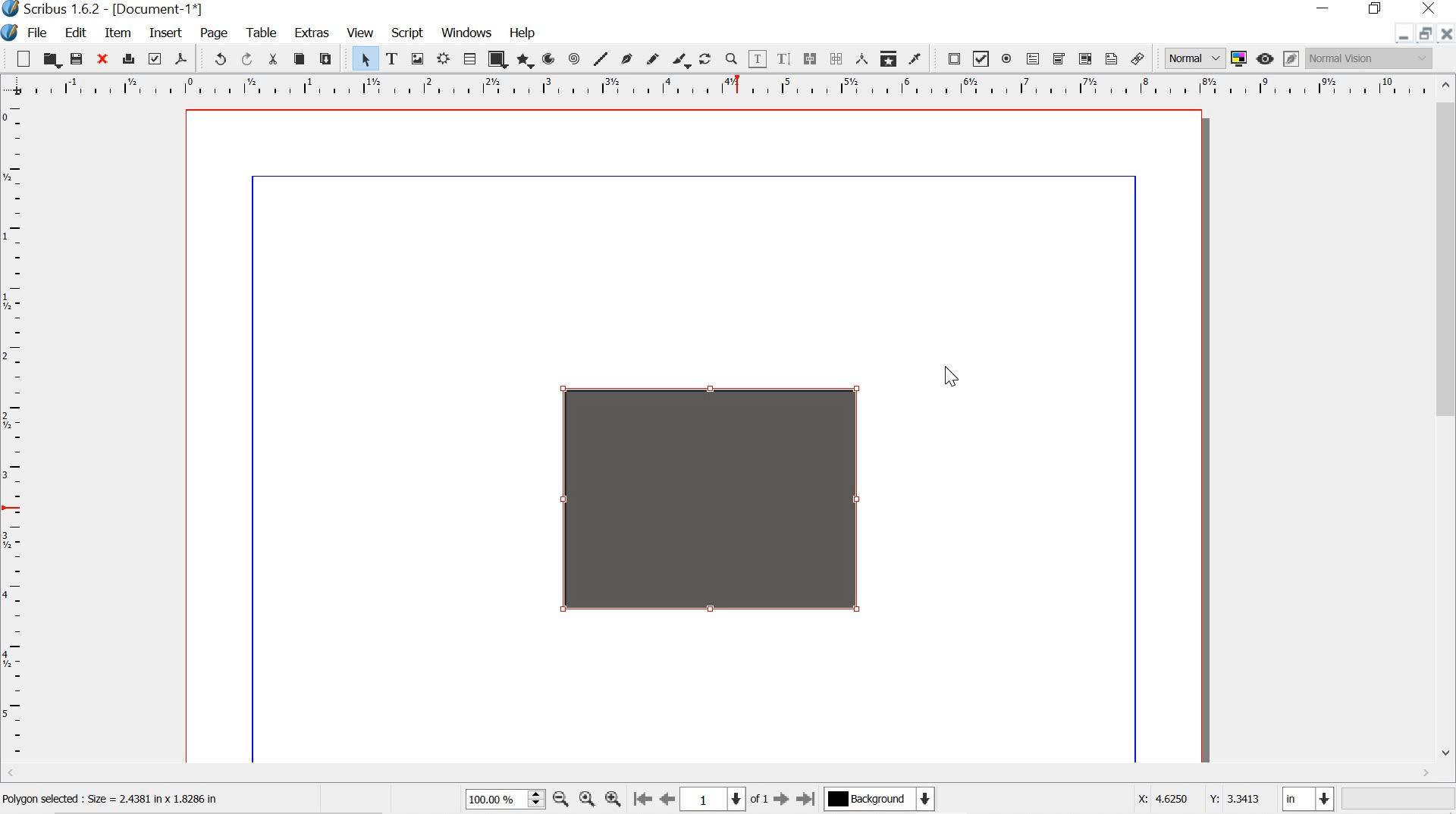  I want to click on file, so click(42, 33).